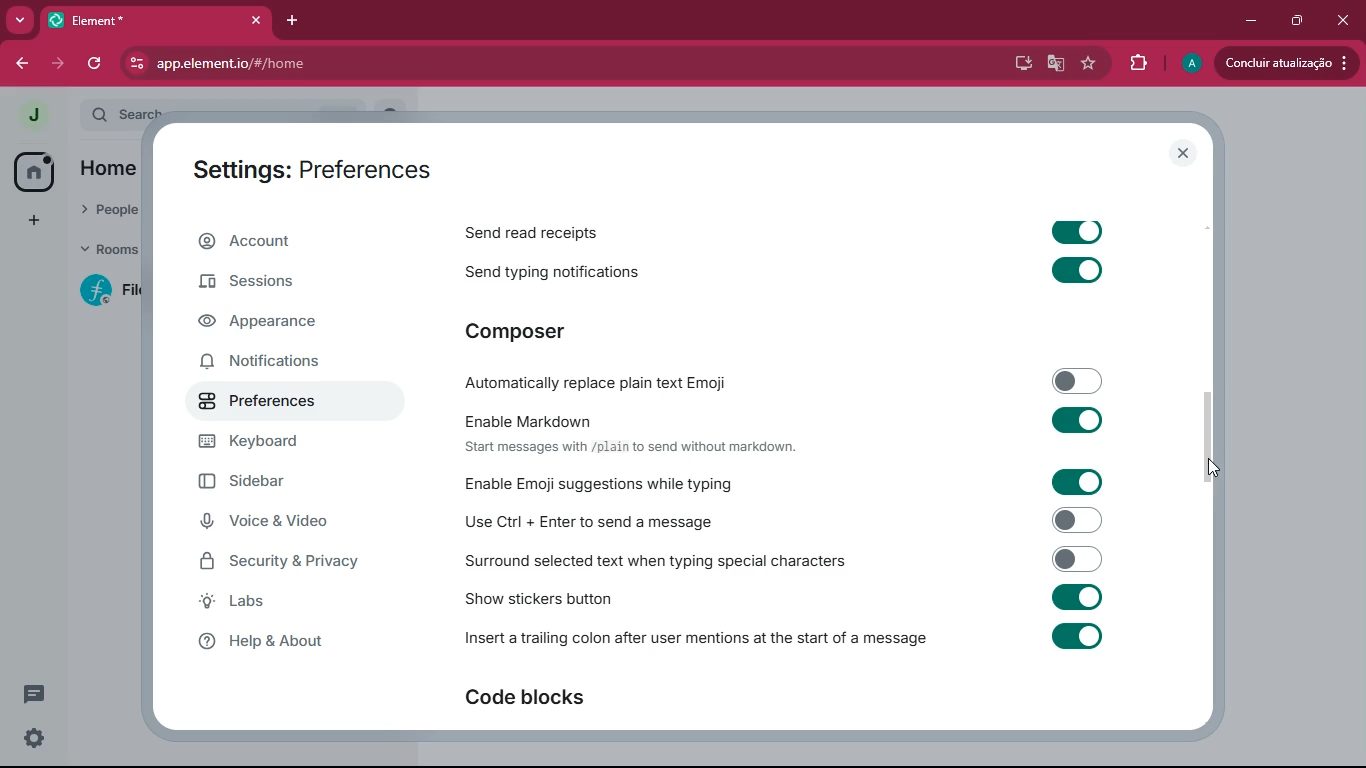 The height and width of the screenshot is (768, 1366). I want to click on back, so click(23, 63).